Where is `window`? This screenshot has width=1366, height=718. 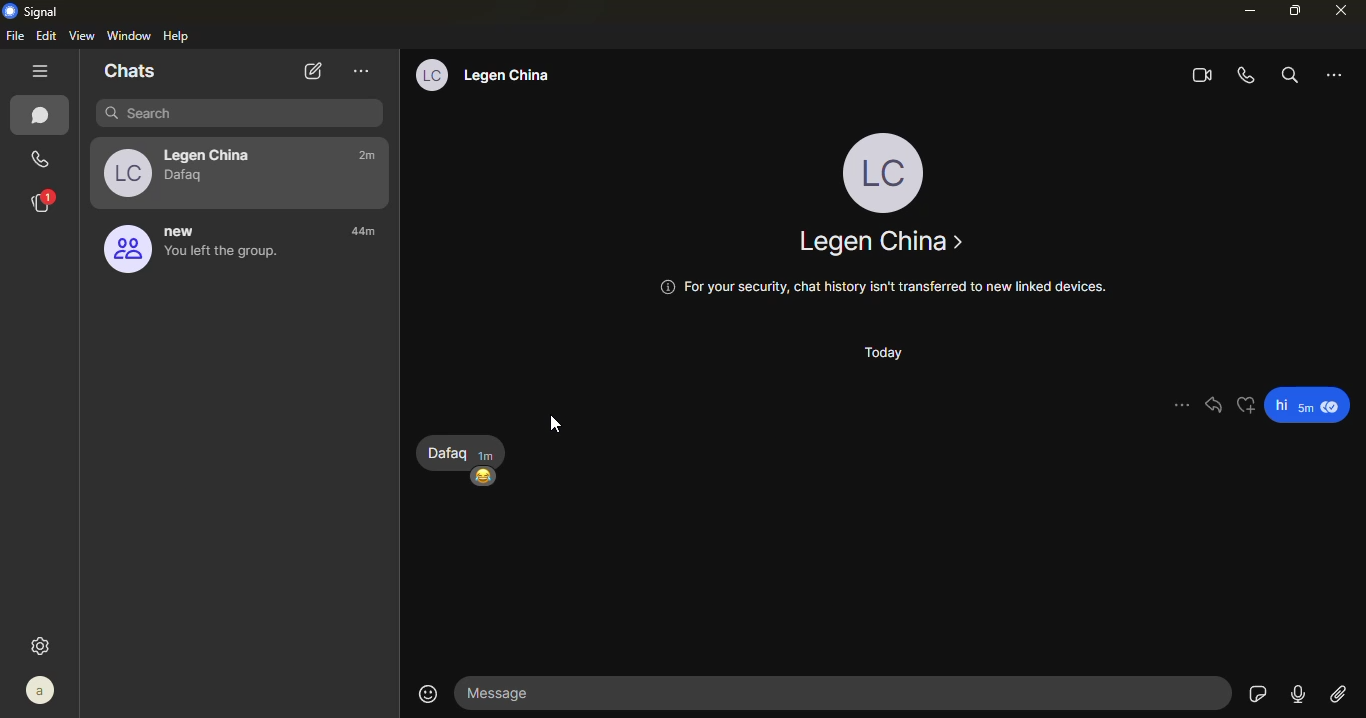
window is located at coordinates (130, 34).